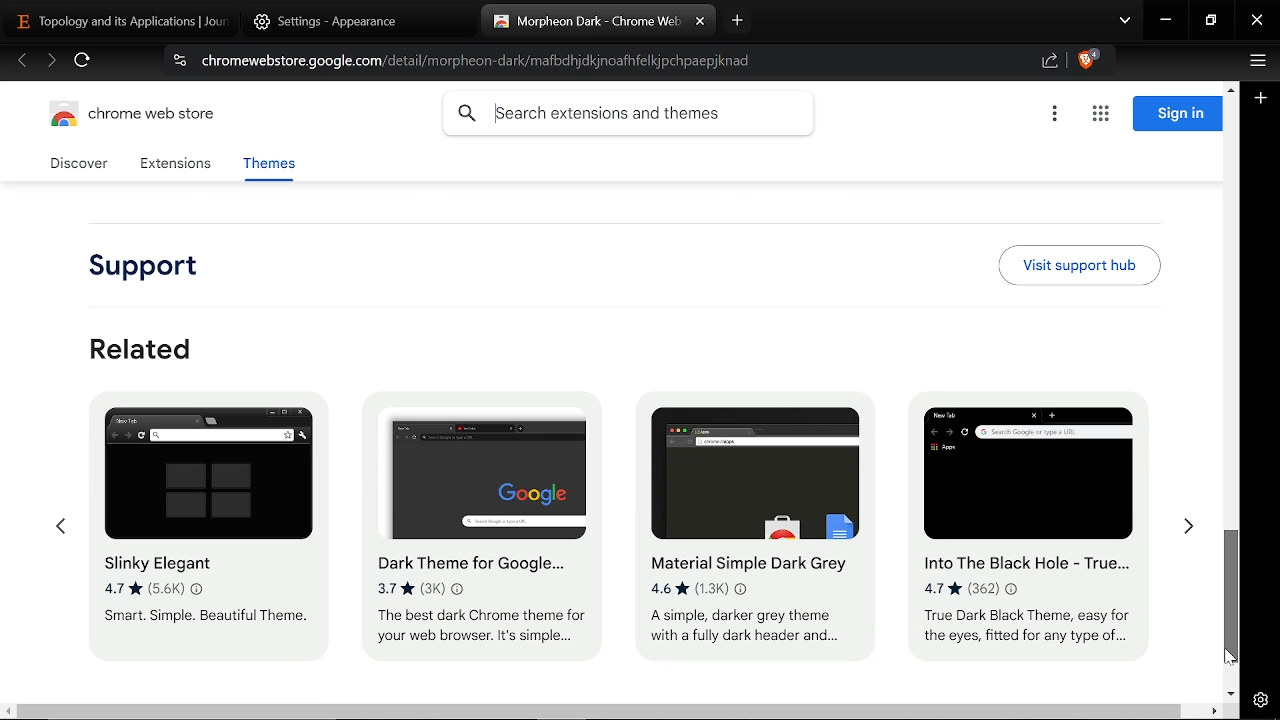 This screenshot has height=720, width=1280. Describe the element at coordinates (482, 61) in the screenshot. I see `Current web address` at that location.